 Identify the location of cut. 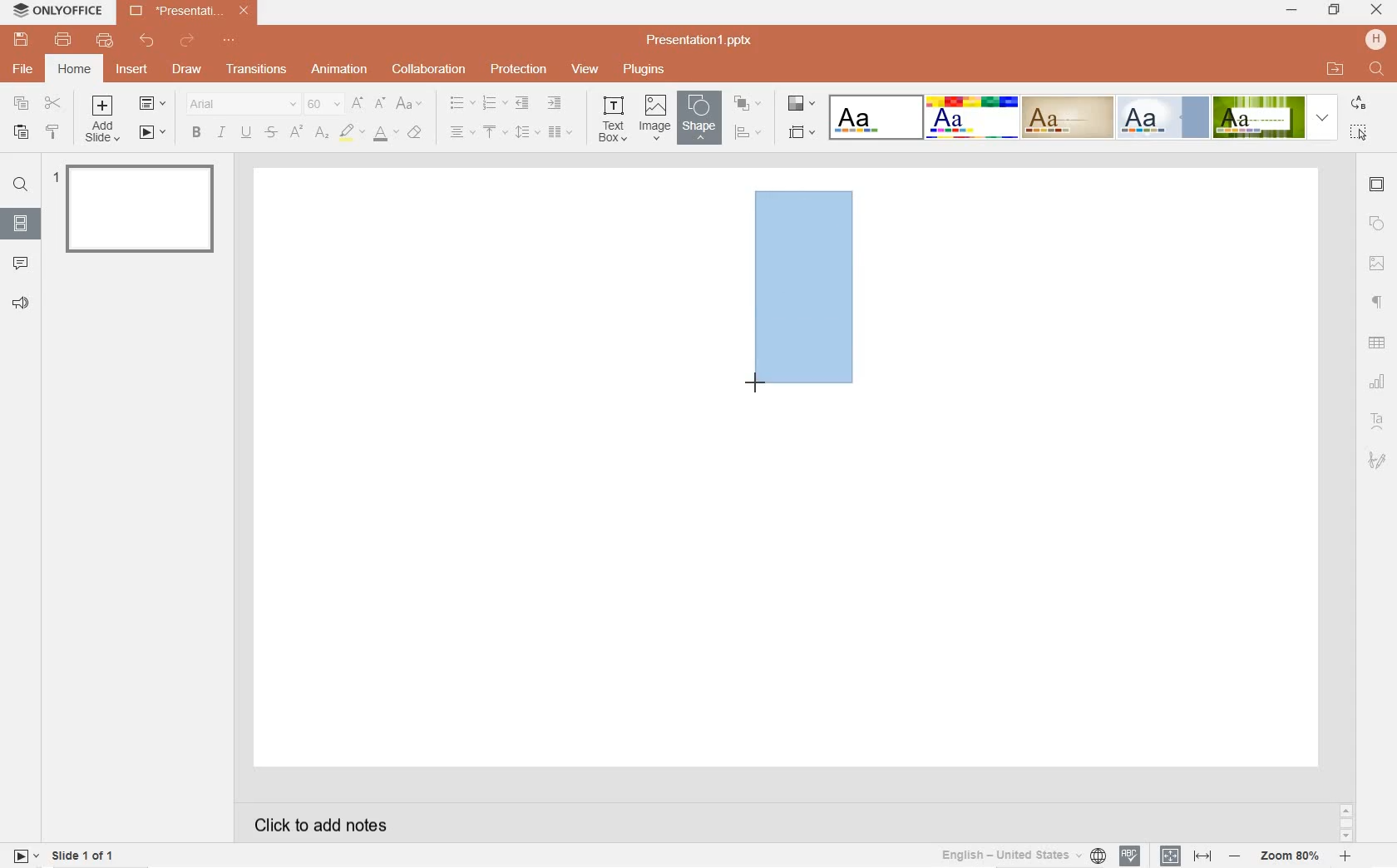
(53, 104).